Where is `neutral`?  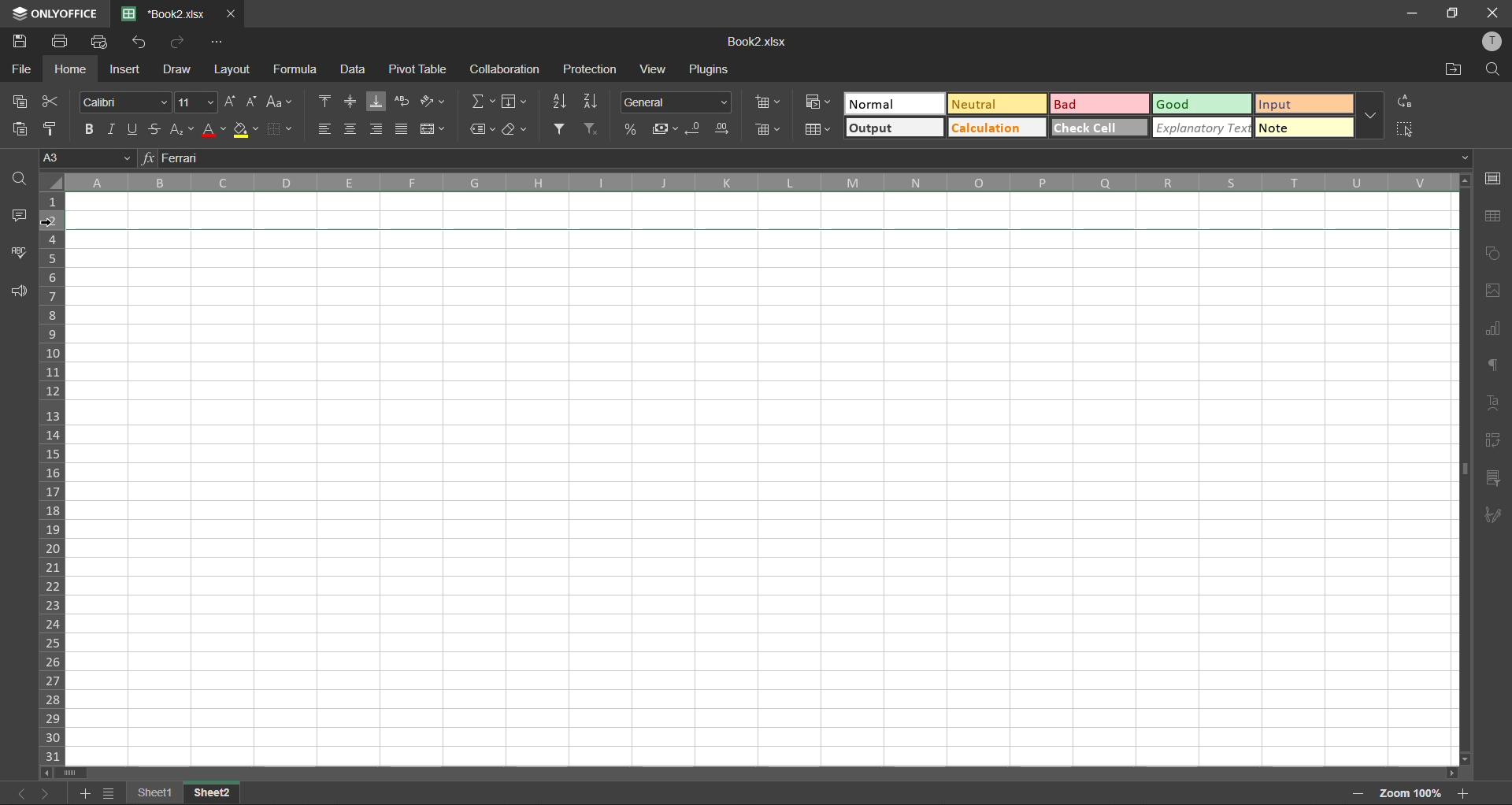
neutral is located at coordinates (996, 105).